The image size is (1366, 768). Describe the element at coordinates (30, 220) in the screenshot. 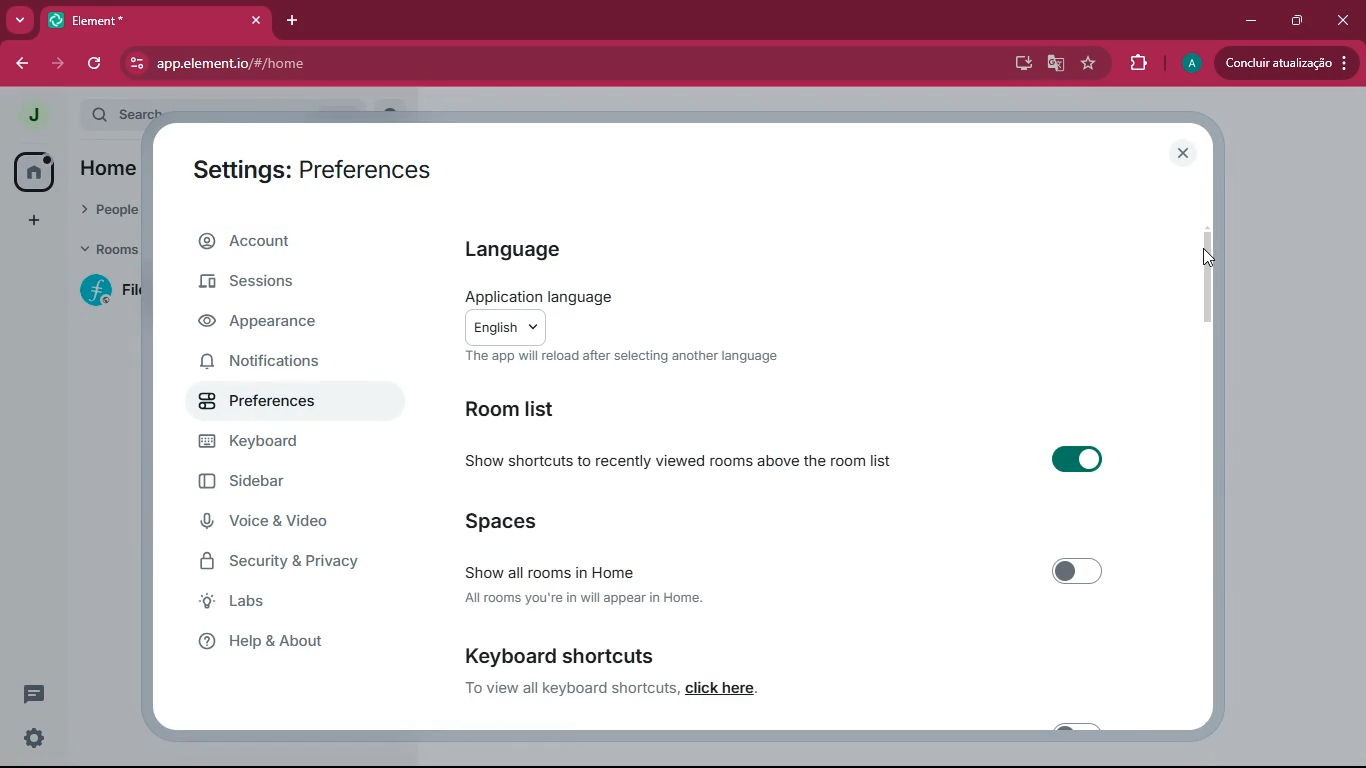

I see `add` at that location.